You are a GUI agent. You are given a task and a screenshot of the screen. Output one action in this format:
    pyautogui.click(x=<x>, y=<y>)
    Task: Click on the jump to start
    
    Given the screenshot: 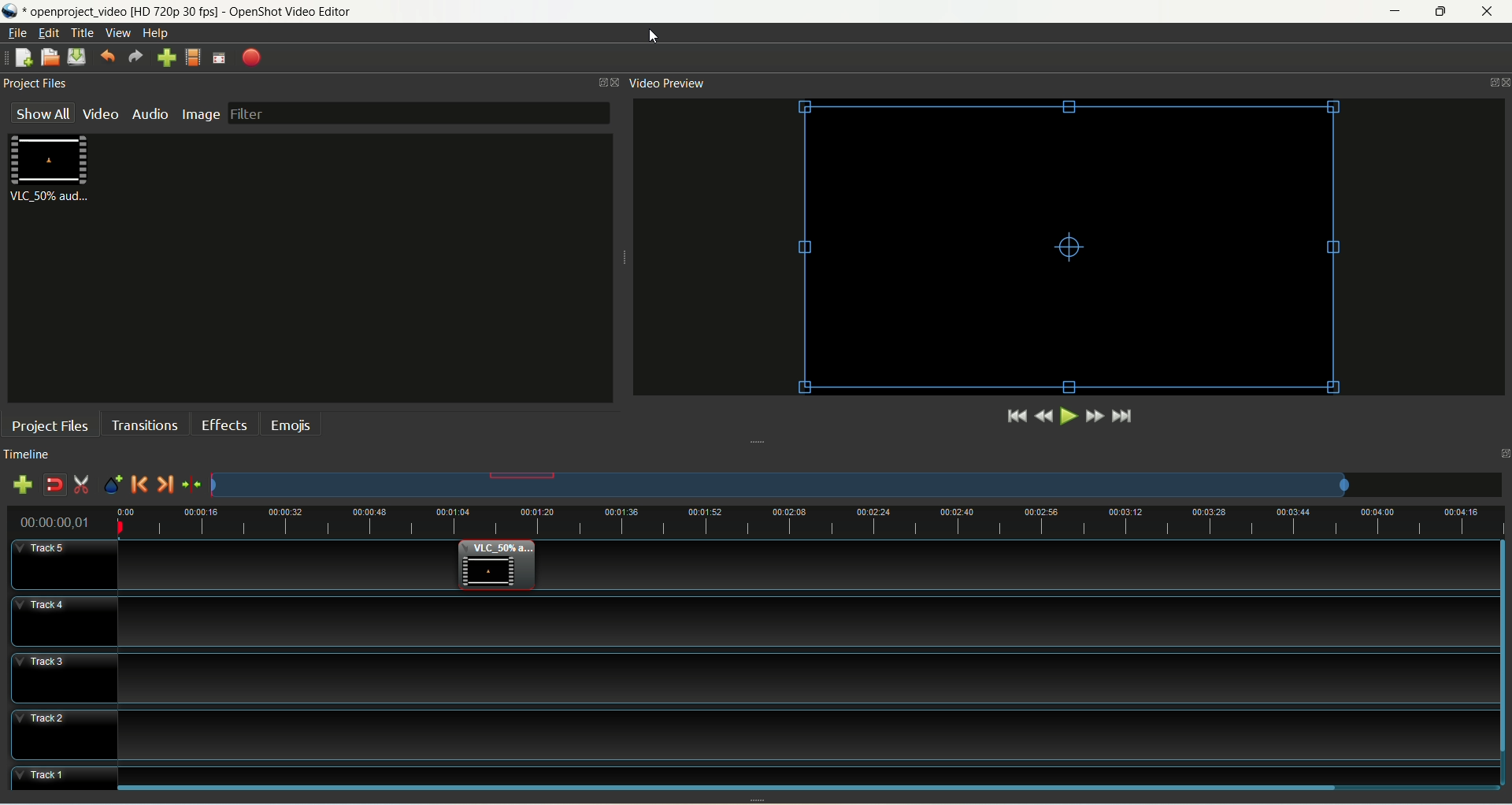 What is the action you would take?
    pyautogui.click(x=1015, y=417)
    